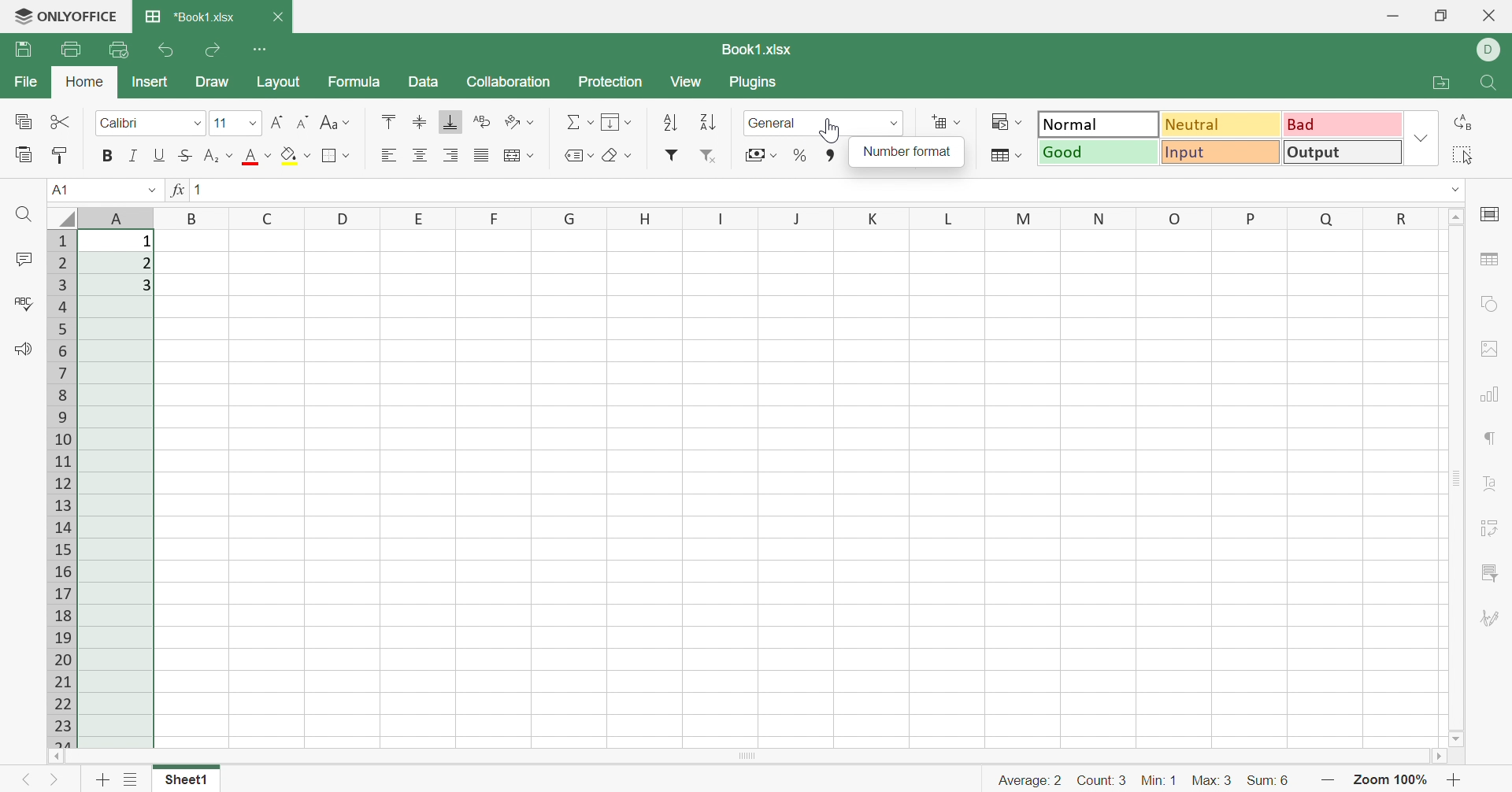  I want to click on View, so click(686, 82).